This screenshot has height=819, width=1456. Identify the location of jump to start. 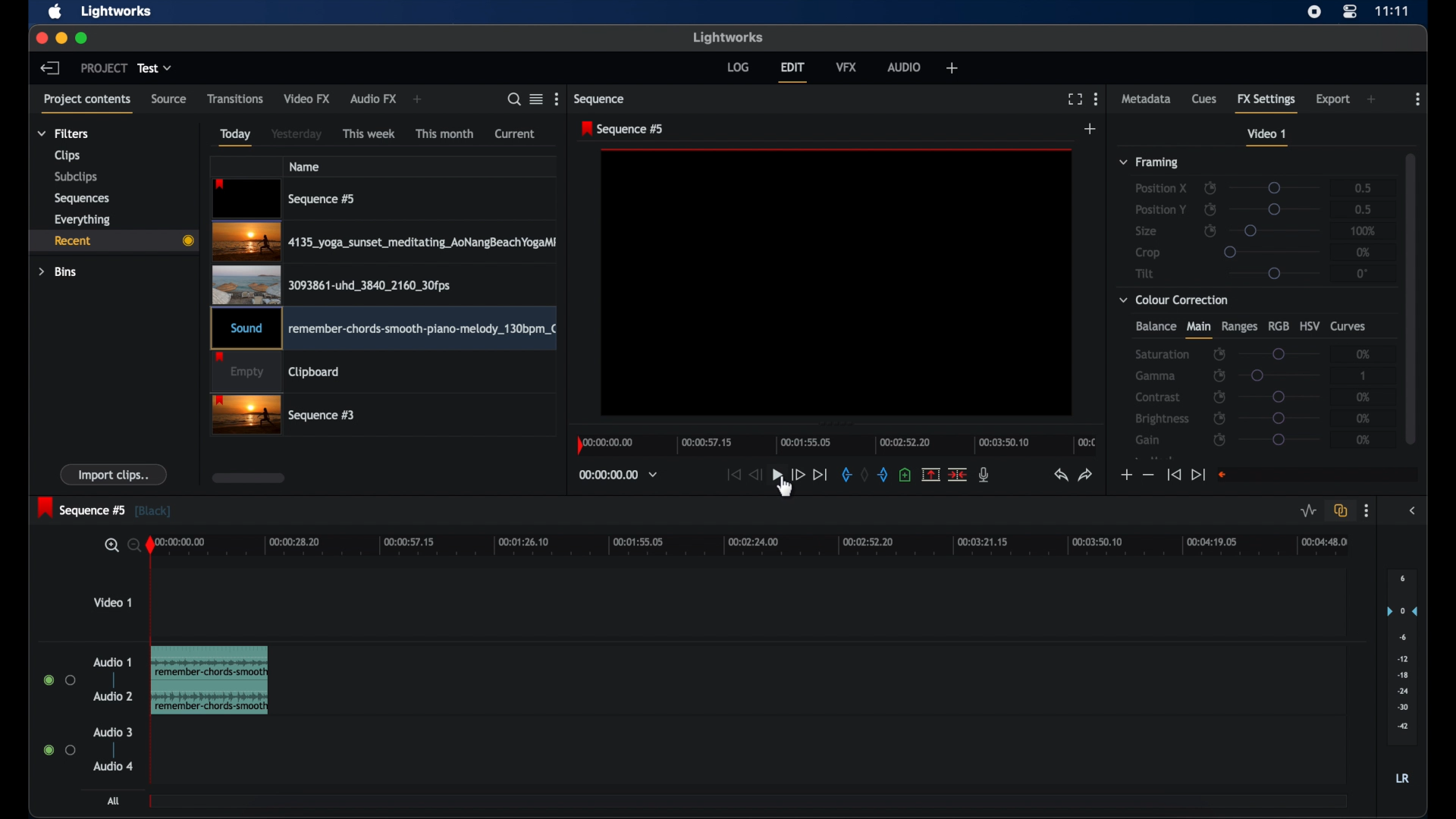
(733, 475).